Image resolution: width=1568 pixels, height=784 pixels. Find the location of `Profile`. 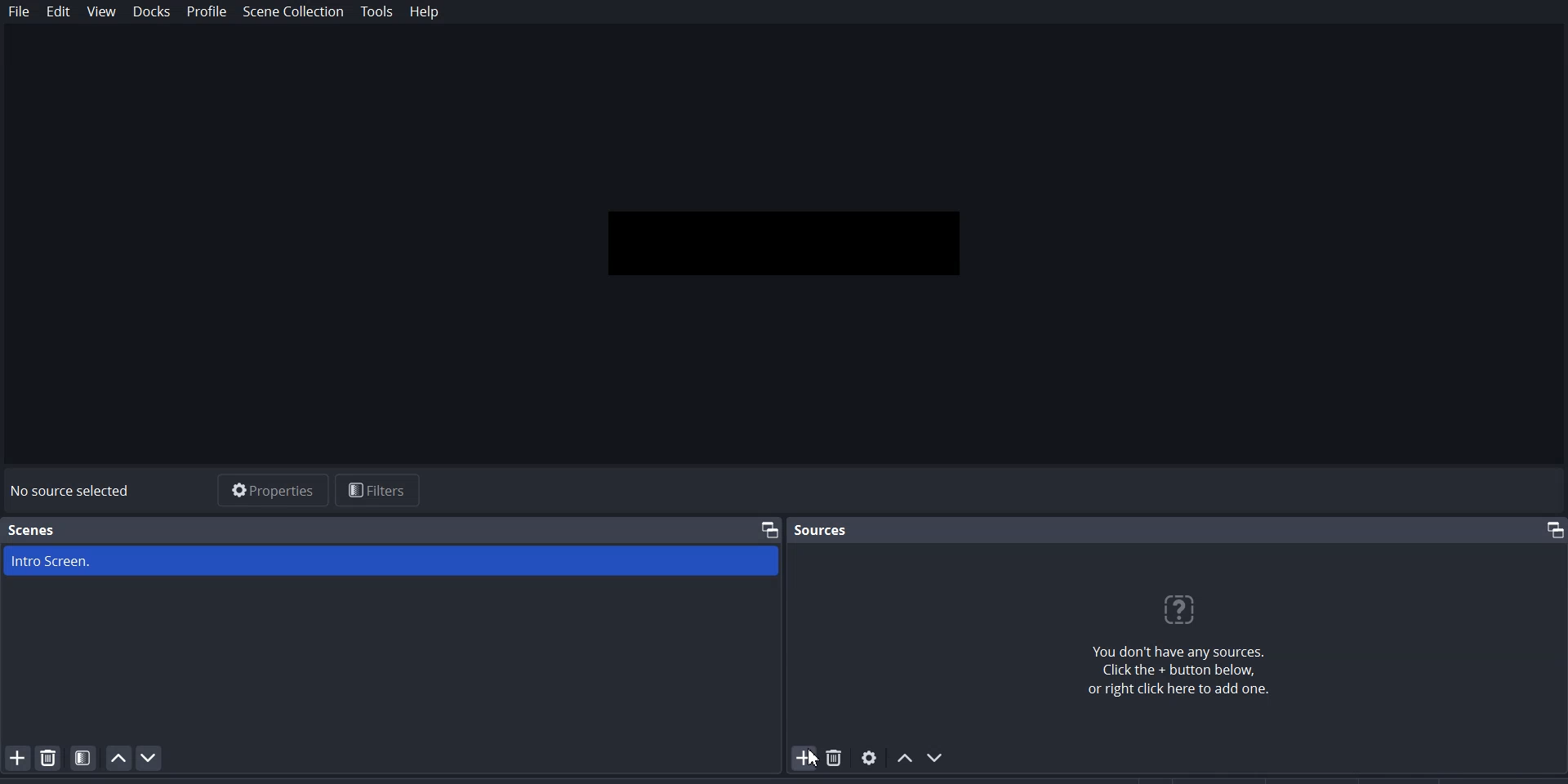

Profile is located at coordinates (207, 12).